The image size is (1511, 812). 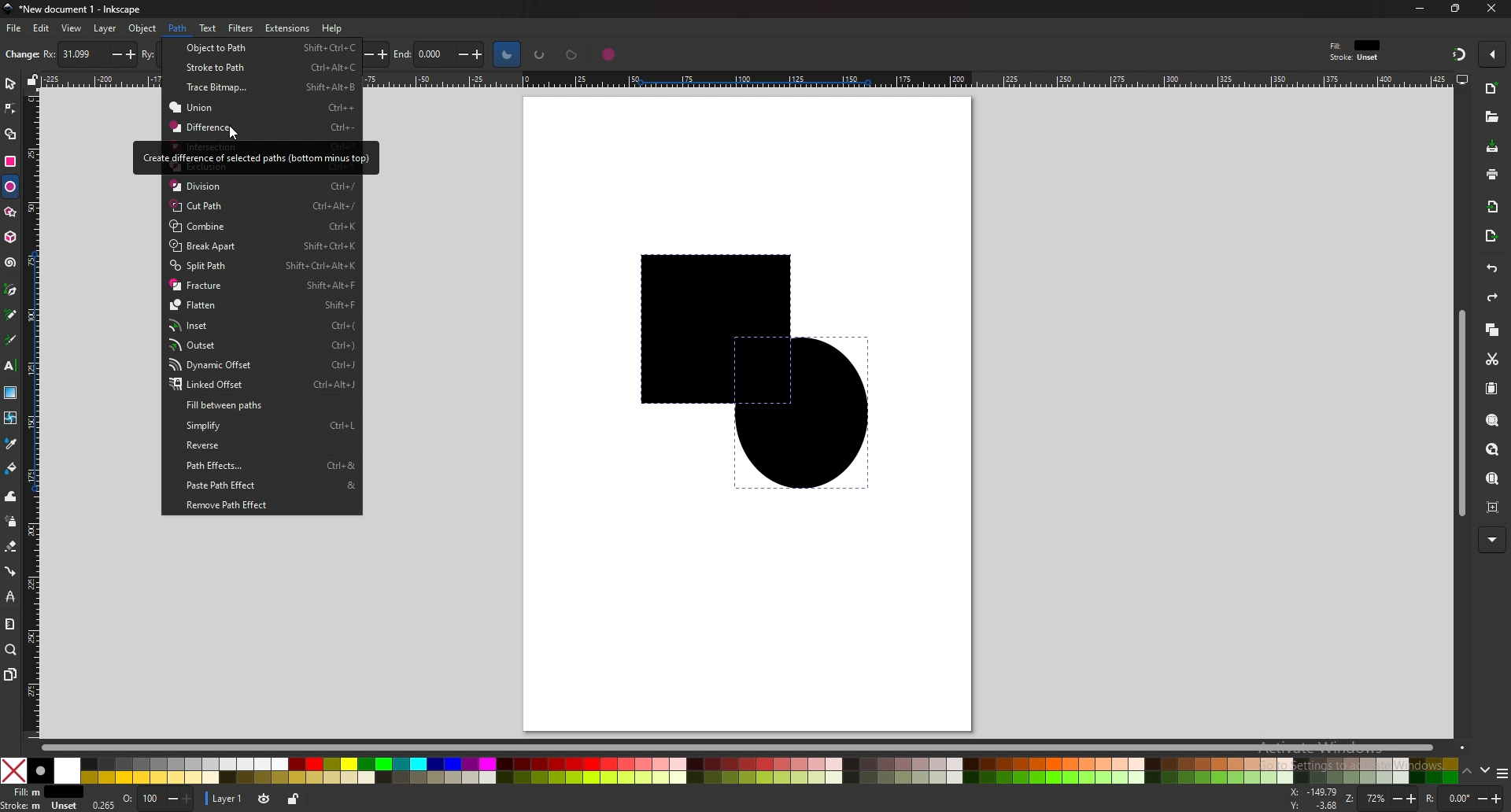 What do you see at coordinates (263, 466) in the screenshot?
I see `Path Effects` at bounding box center [263, 466].